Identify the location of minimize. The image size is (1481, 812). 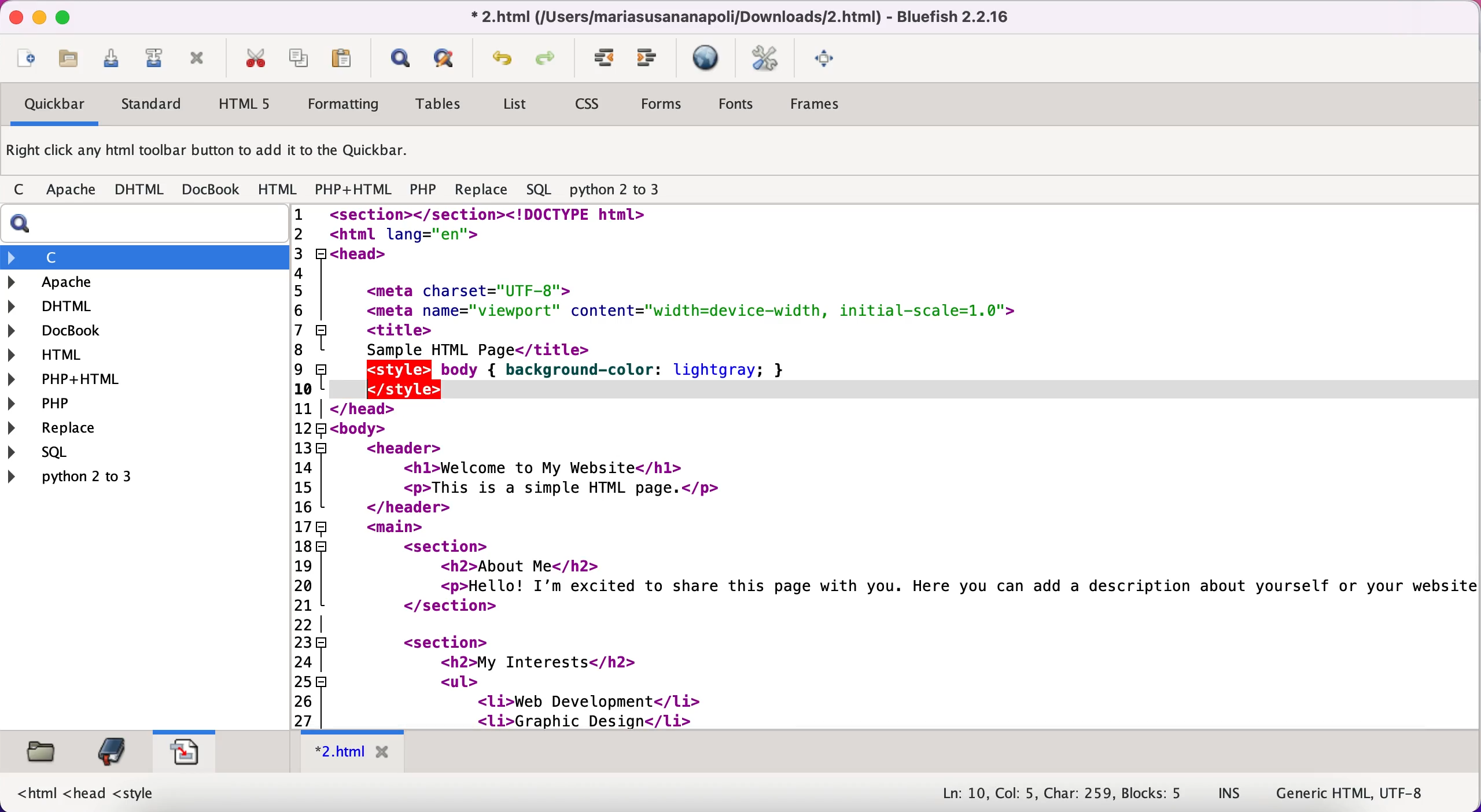
(38, 18).